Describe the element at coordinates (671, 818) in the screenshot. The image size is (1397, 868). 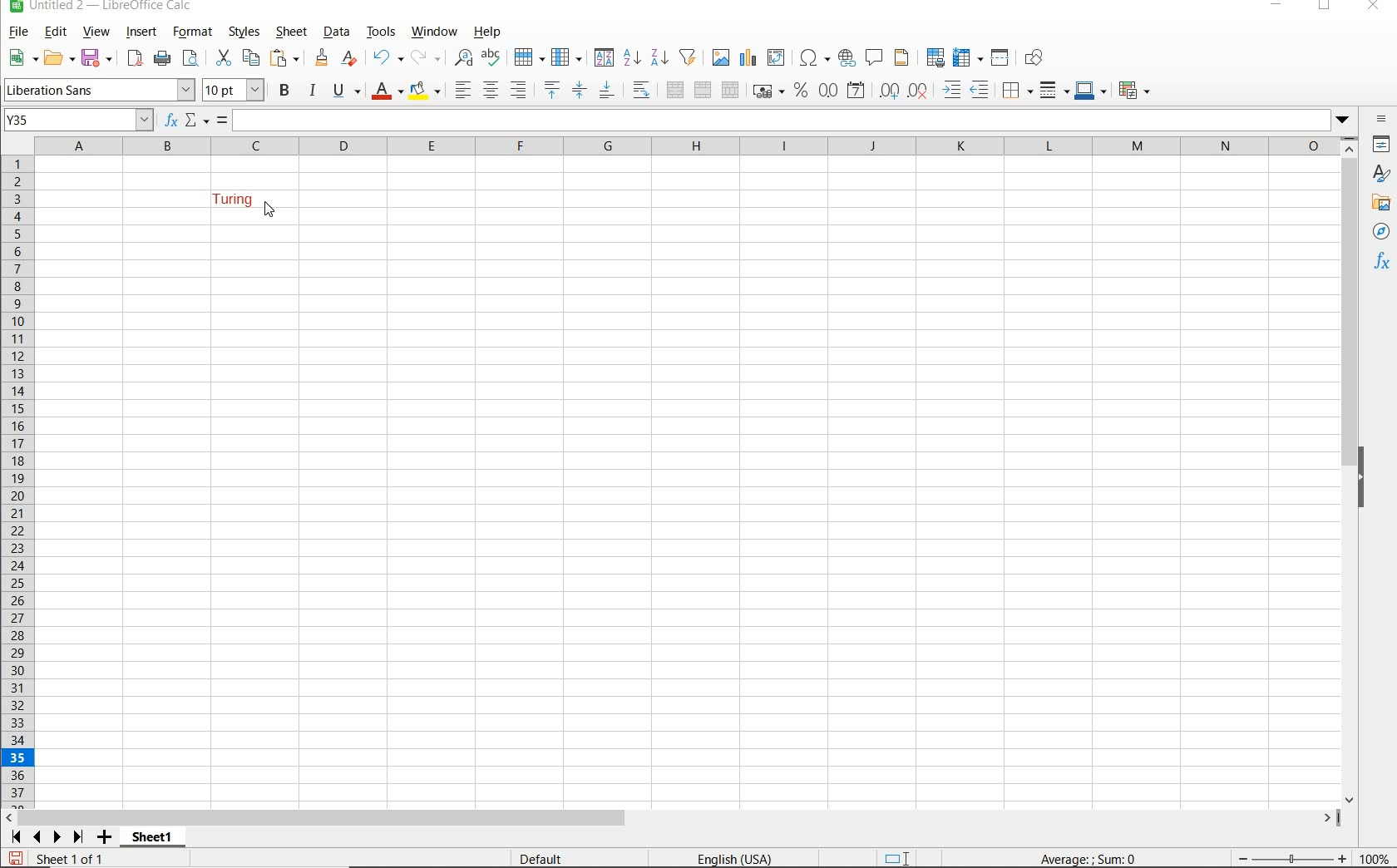
I see `SCROLLBAR` at that location.